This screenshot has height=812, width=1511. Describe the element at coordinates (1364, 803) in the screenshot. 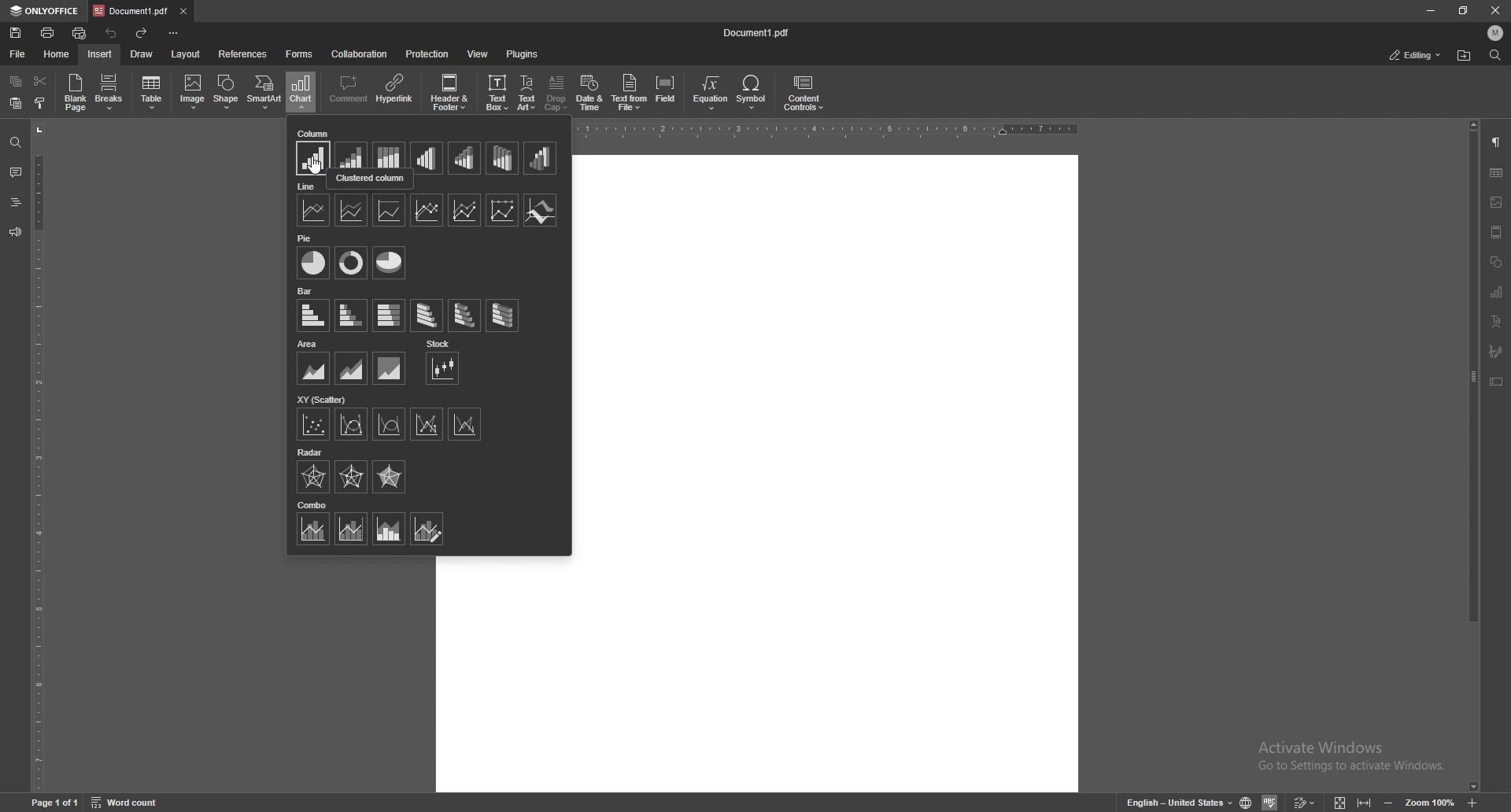

I see `Expand` at that location.